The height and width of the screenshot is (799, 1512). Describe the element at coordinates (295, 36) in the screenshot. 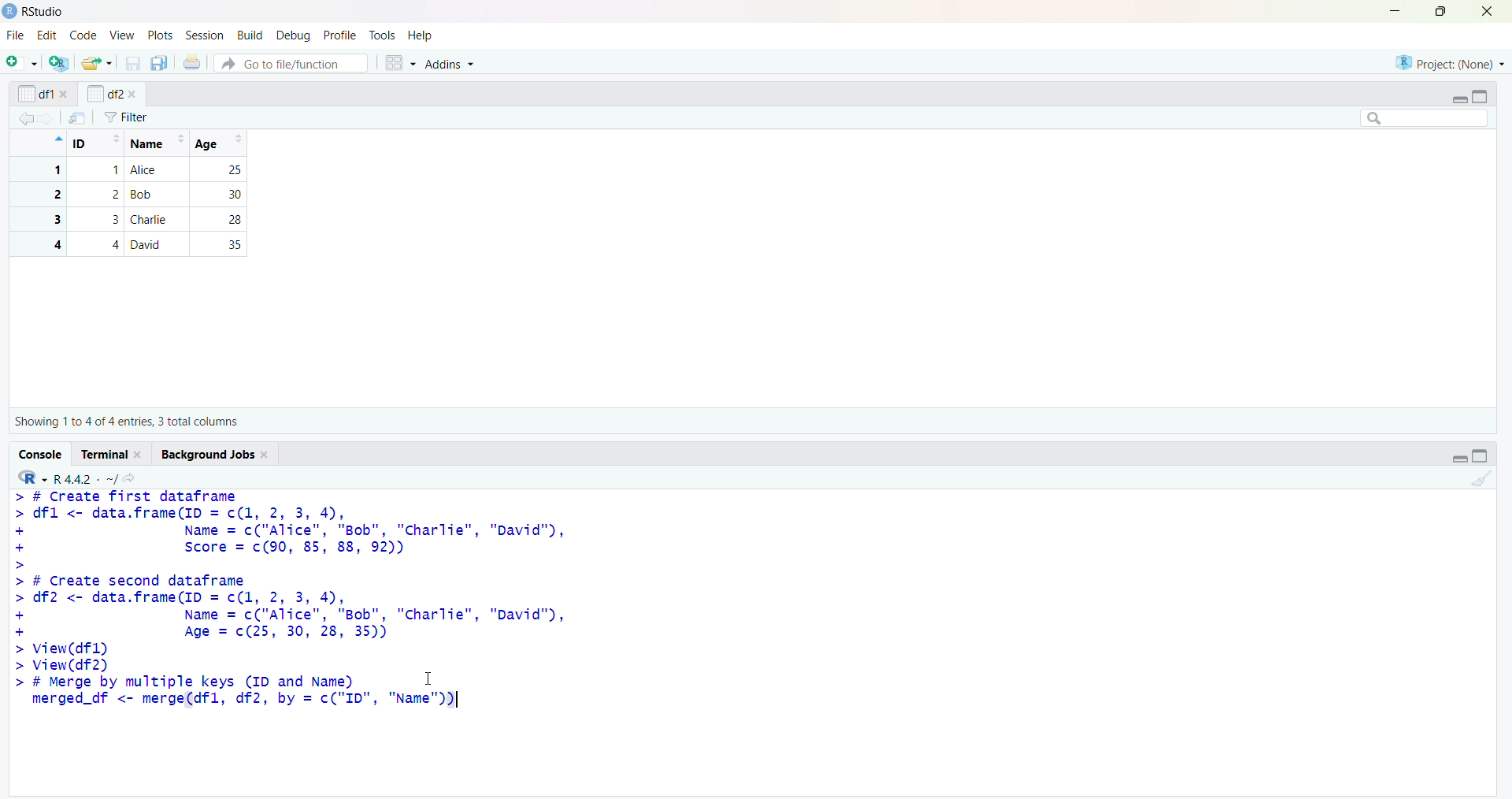

I see `debug` at that location.